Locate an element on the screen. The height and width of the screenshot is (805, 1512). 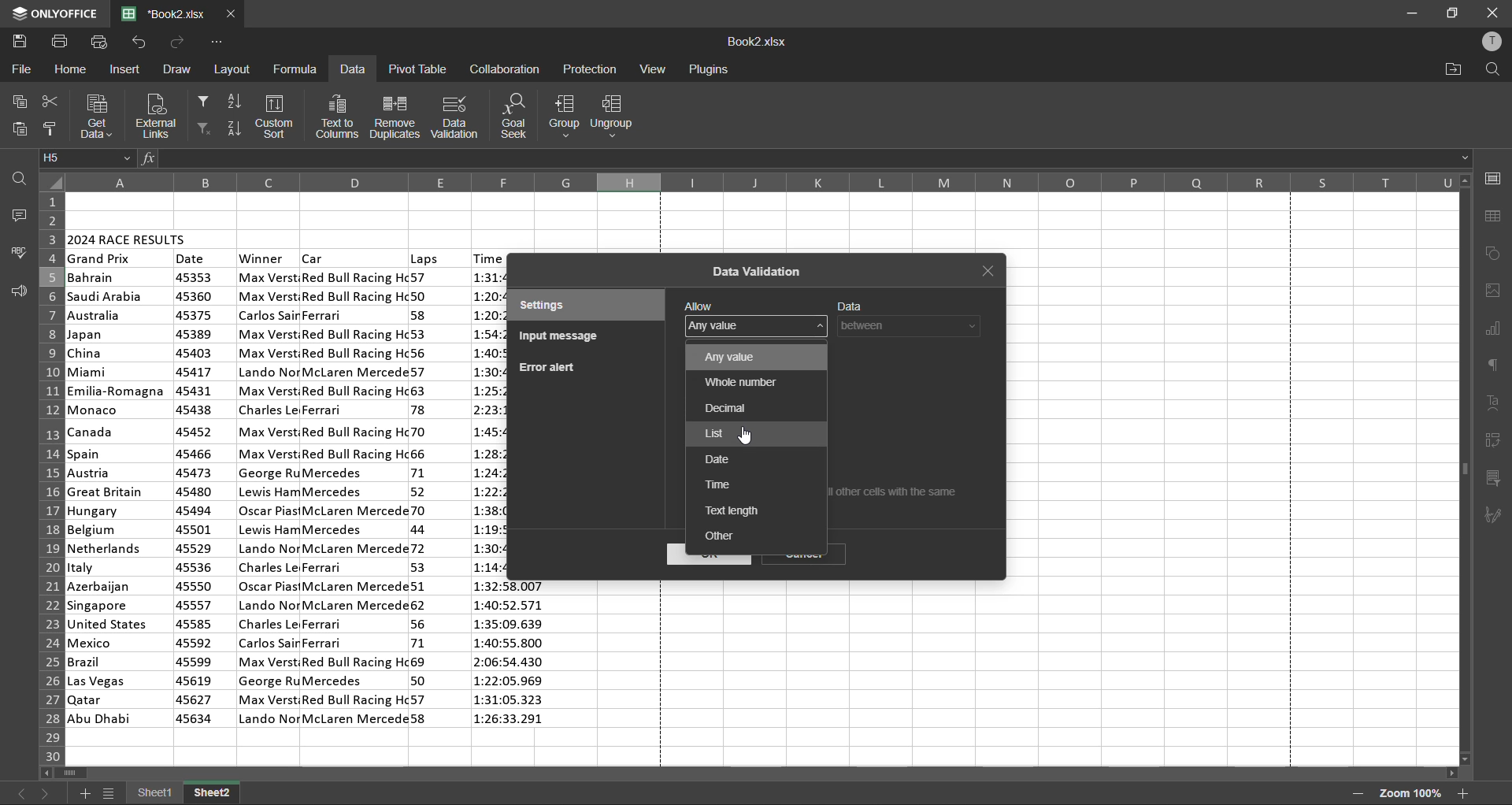
column names is located at coordinates (762, 182).